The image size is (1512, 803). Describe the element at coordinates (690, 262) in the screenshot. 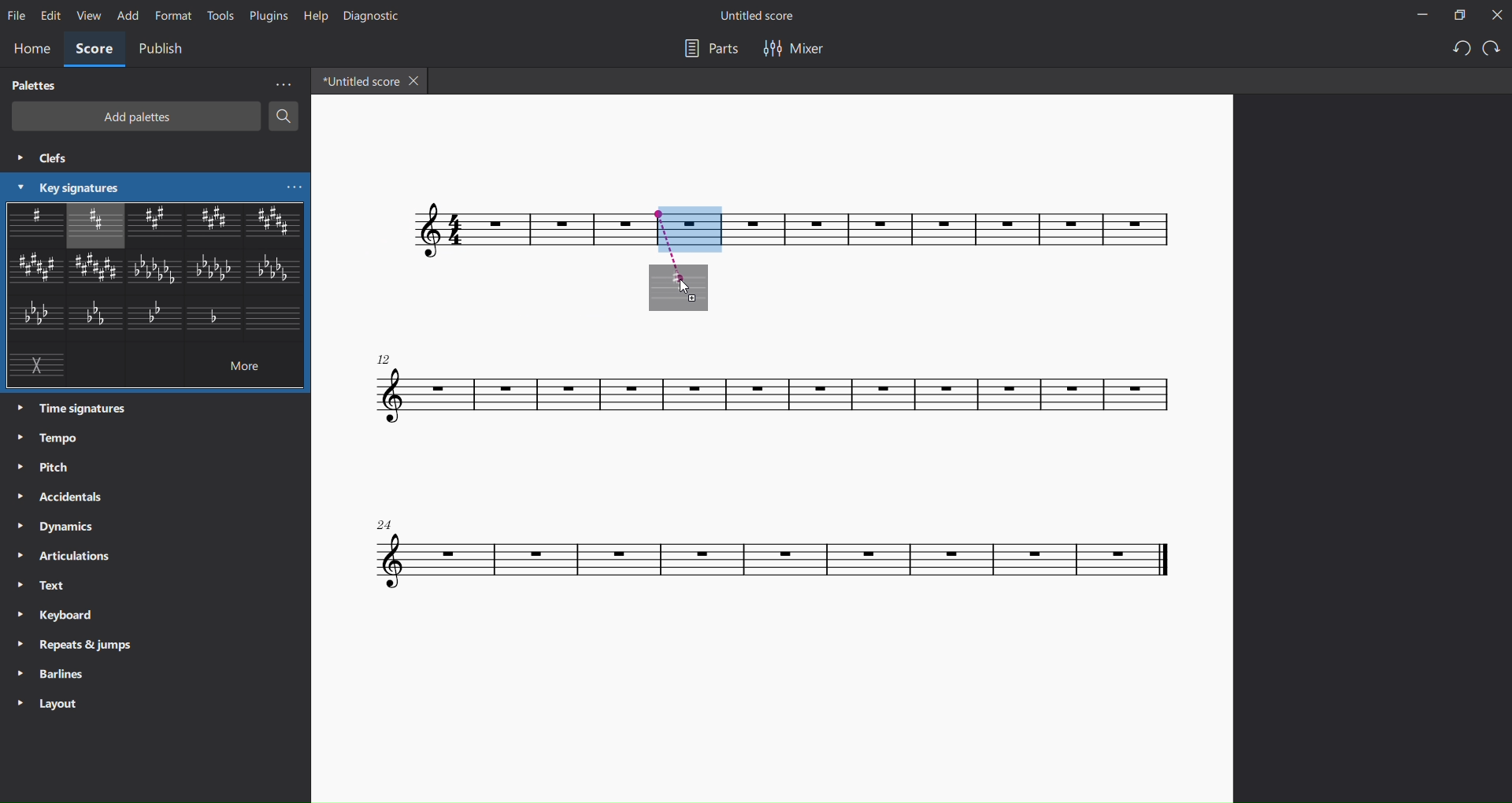

I see `inserting area` at that location.